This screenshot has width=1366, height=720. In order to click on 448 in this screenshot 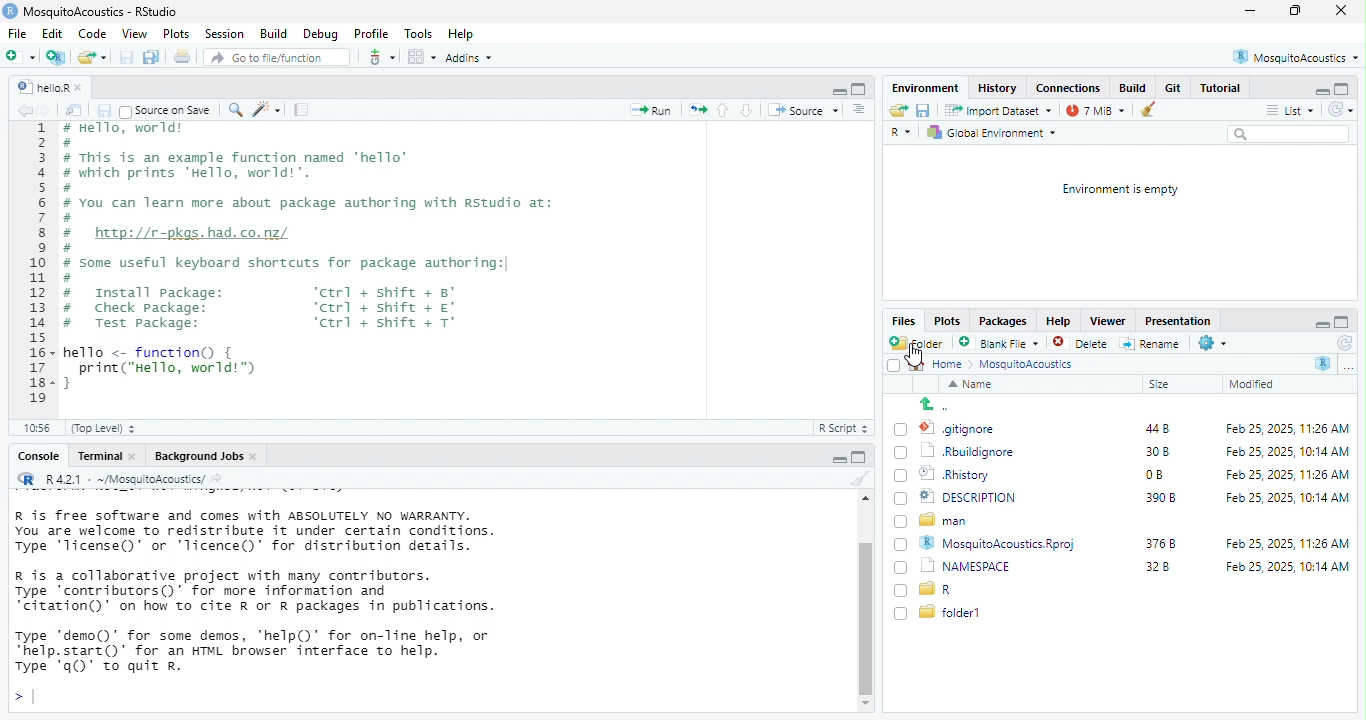, I will do `click(1151, 428)`.